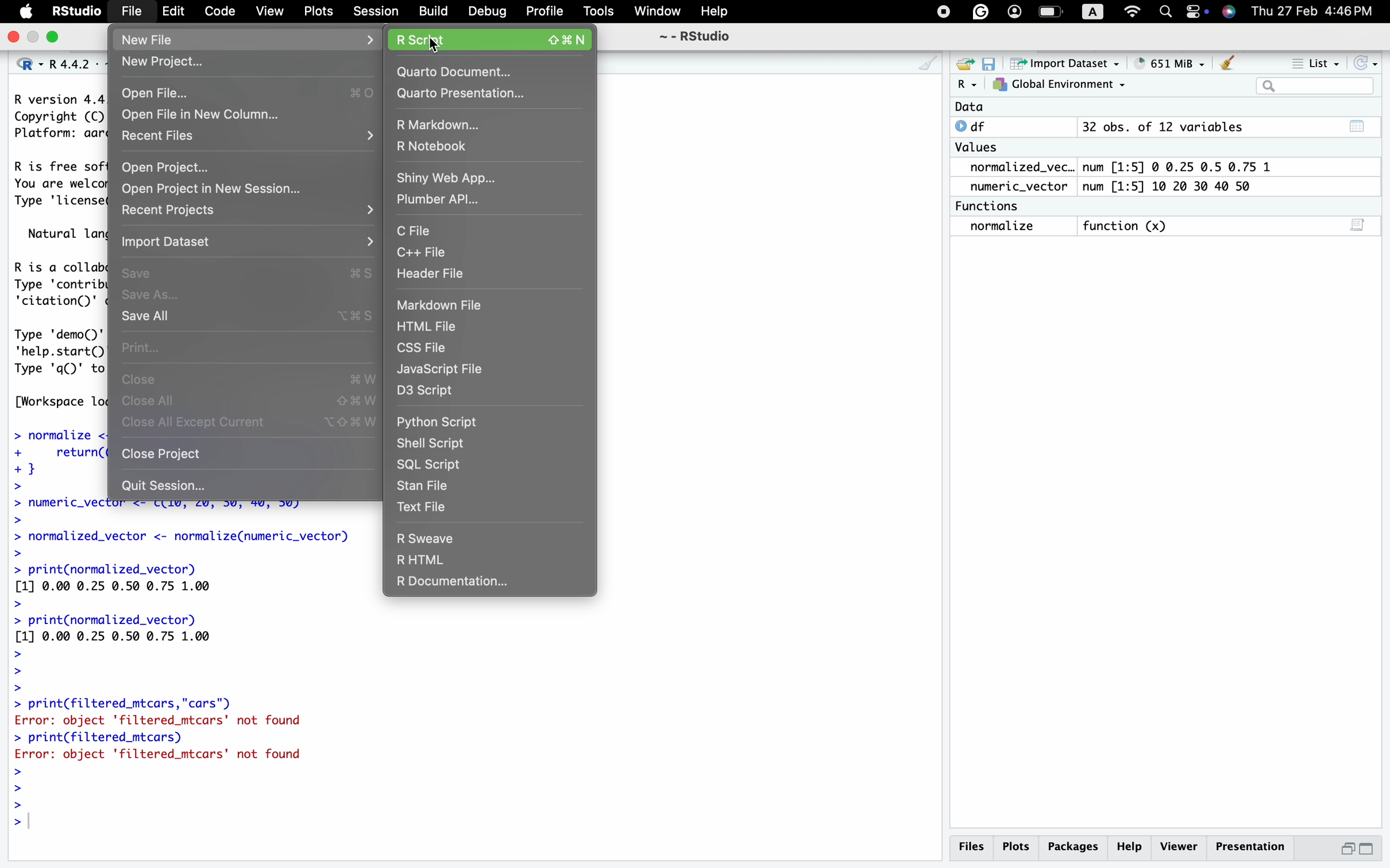 The width and height of the screenshot is (1390, 868). I want to click on Debug, so click(485, 12).